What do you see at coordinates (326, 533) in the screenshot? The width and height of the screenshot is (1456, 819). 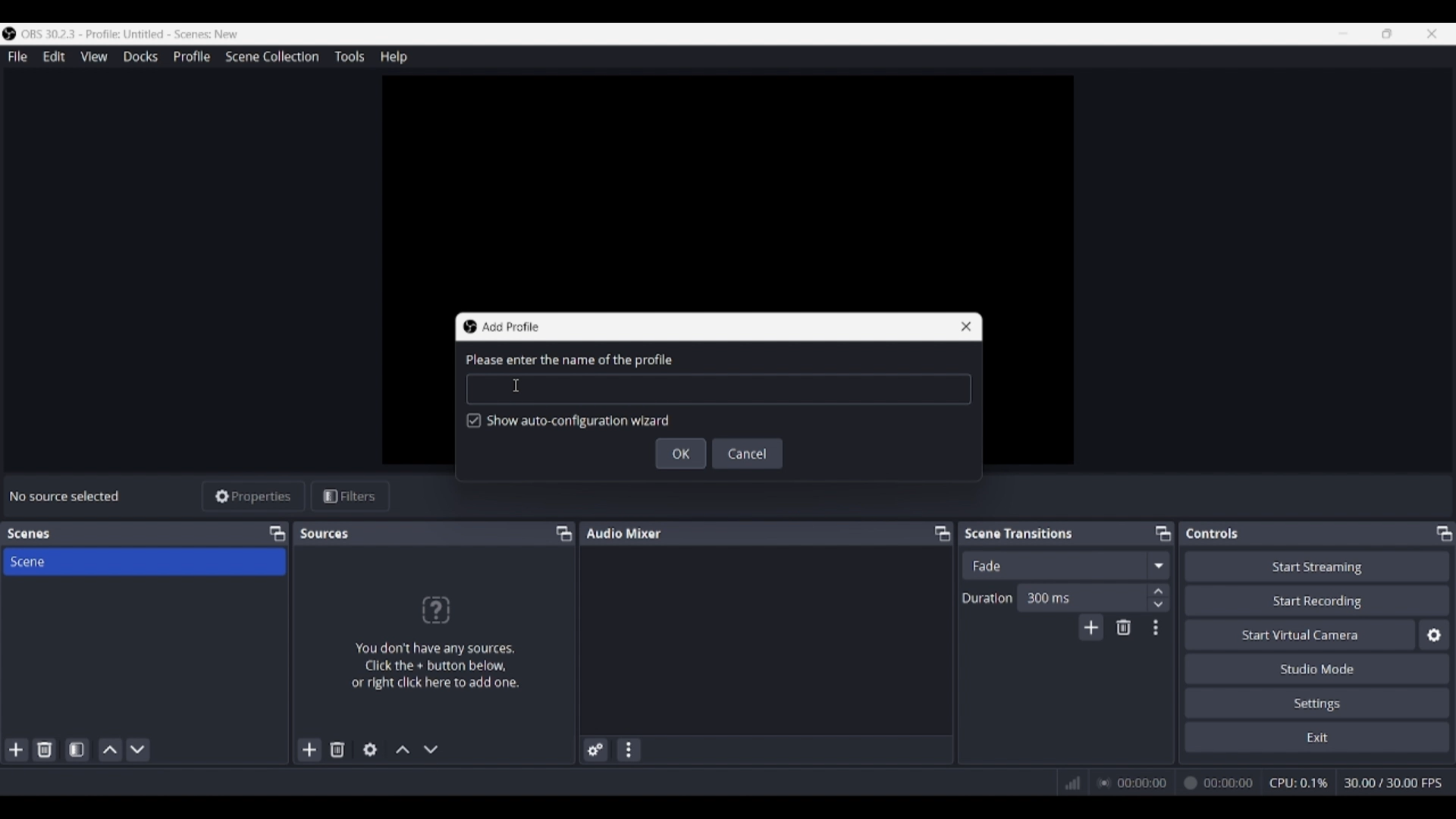 I see `Panel title` at bounding box center [326, 533].